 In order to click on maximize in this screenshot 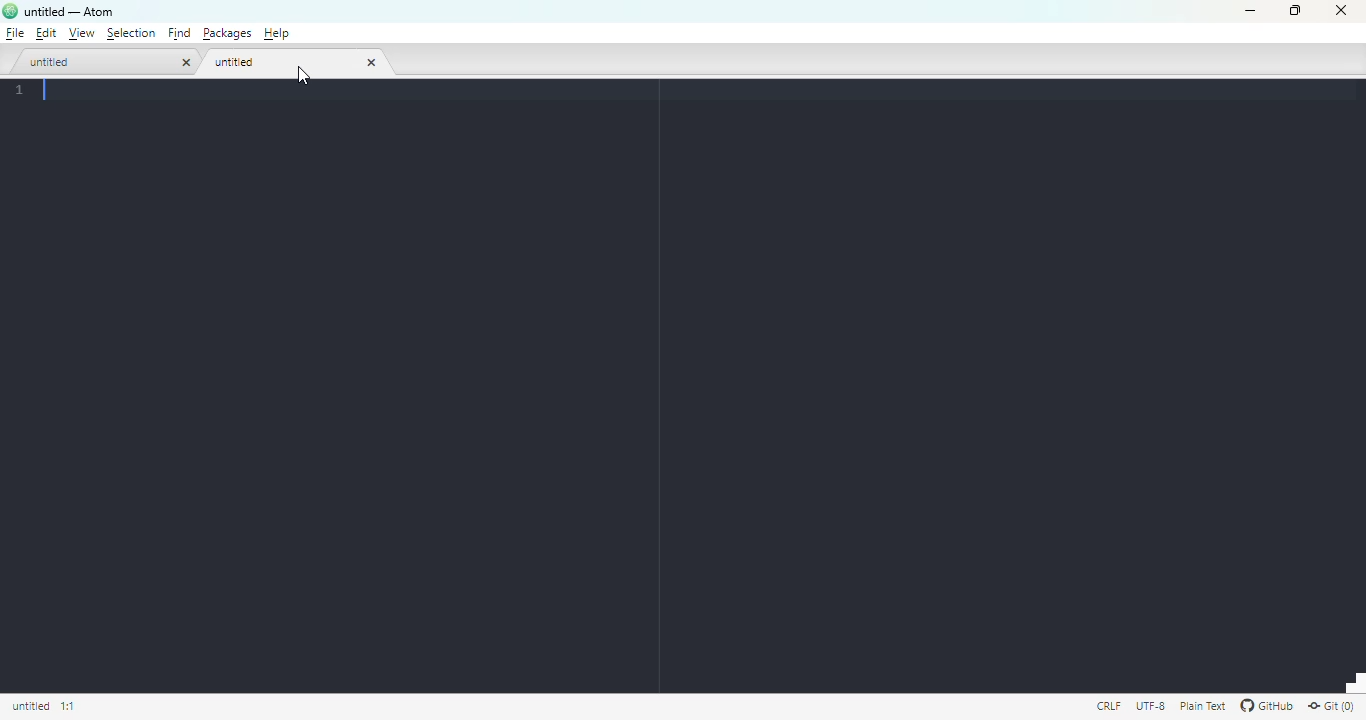, I will do `click(1295, 10)`.